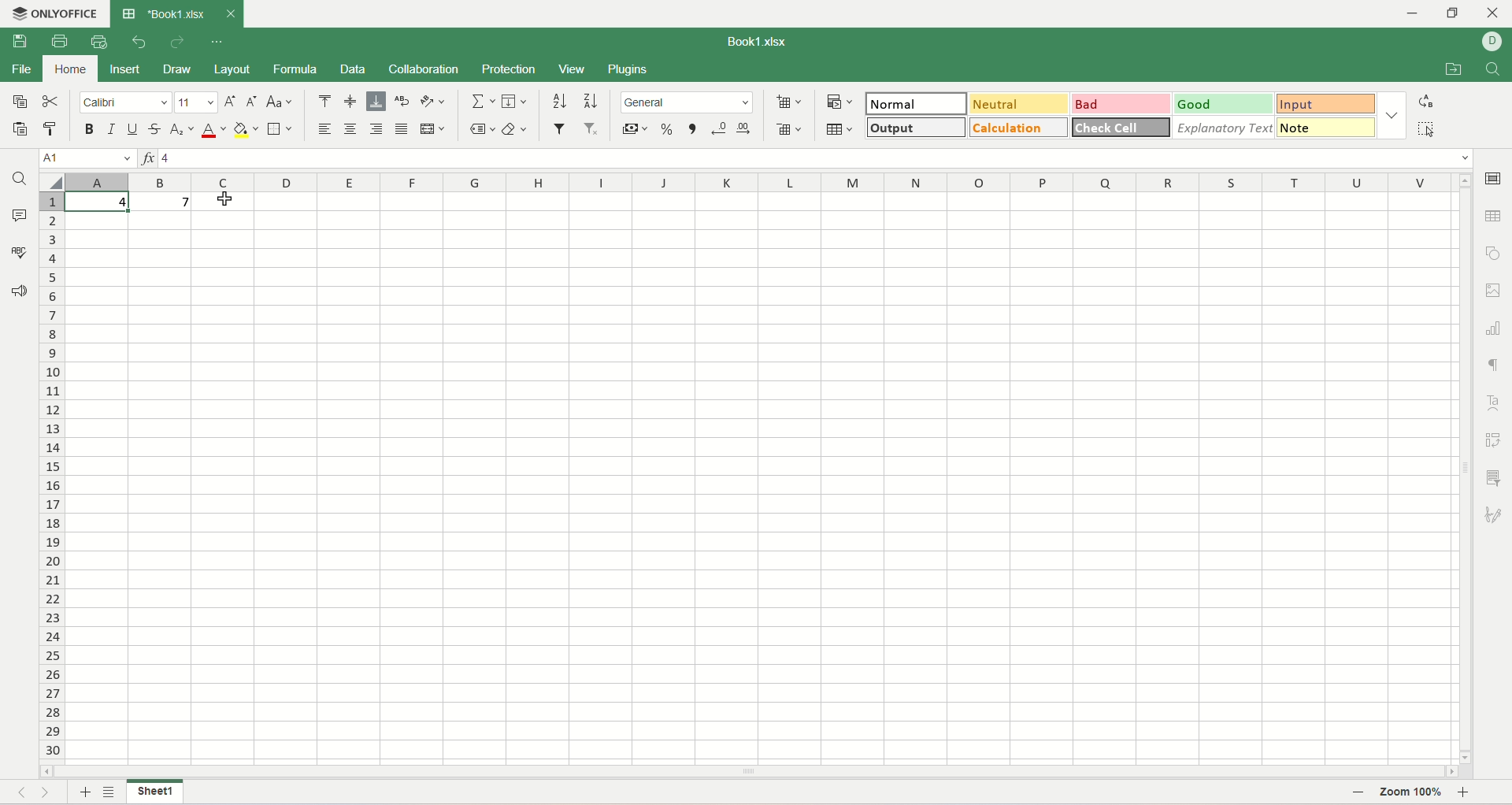  Describe the element at coordinates (1492, 43) in the screenshot. I see `username` at that location.